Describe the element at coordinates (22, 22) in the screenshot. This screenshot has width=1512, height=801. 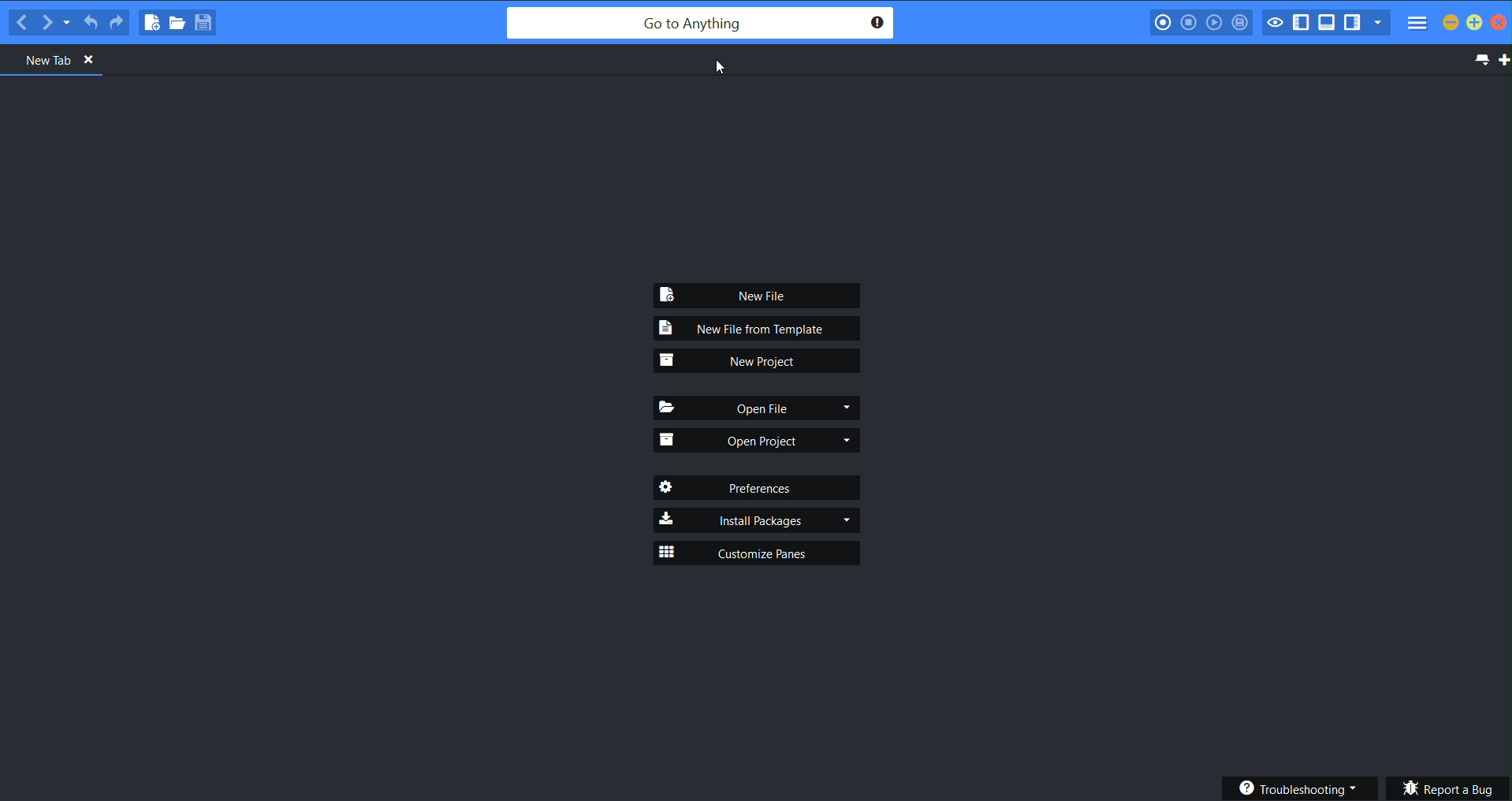
I see `go back` at that location.